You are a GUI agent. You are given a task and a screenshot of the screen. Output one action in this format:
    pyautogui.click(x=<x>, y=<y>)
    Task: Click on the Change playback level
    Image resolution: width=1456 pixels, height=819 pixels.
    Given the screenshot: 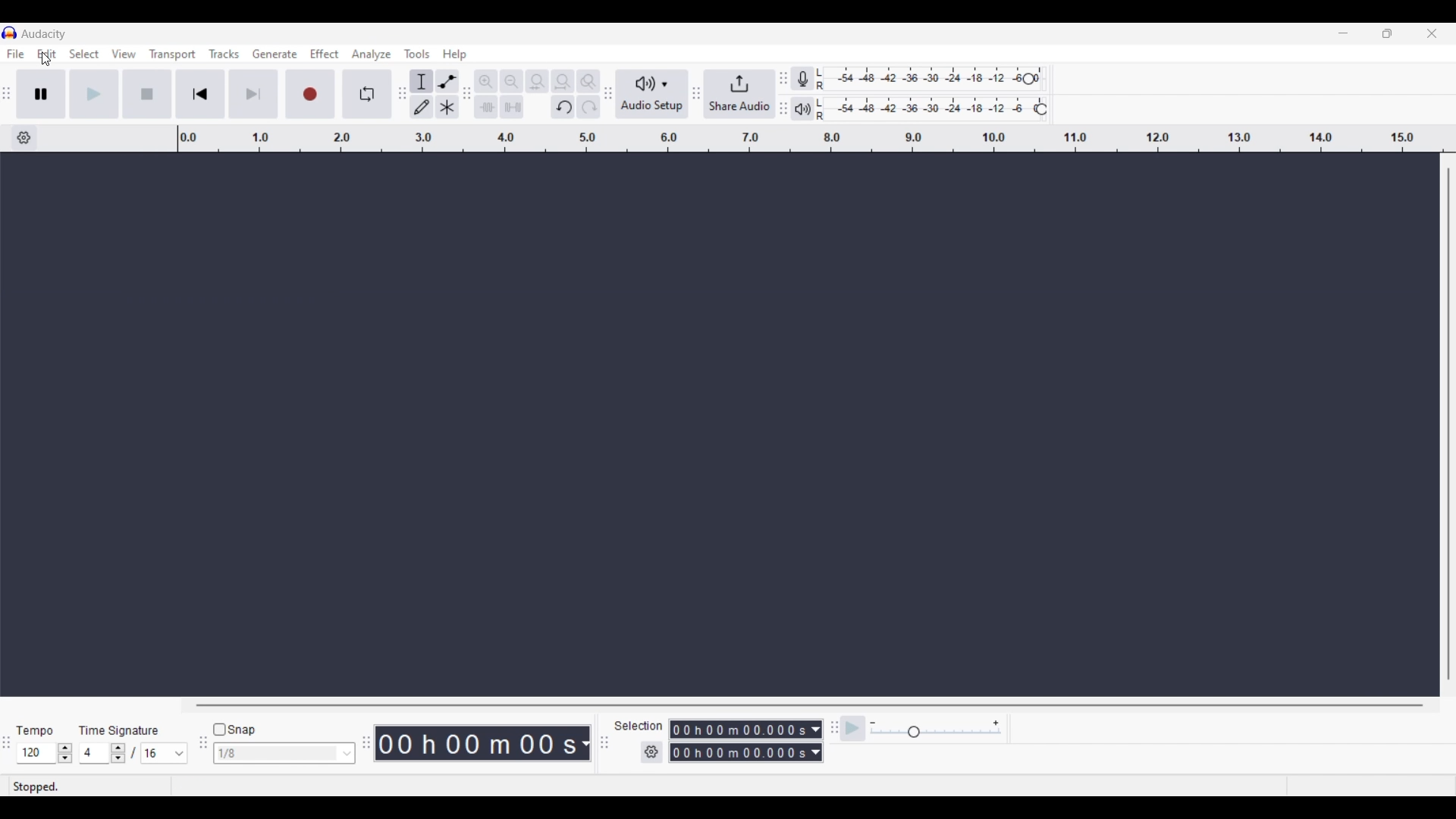 What is the action you would take?
    pyautogui.click(x=1041, y=110)
    